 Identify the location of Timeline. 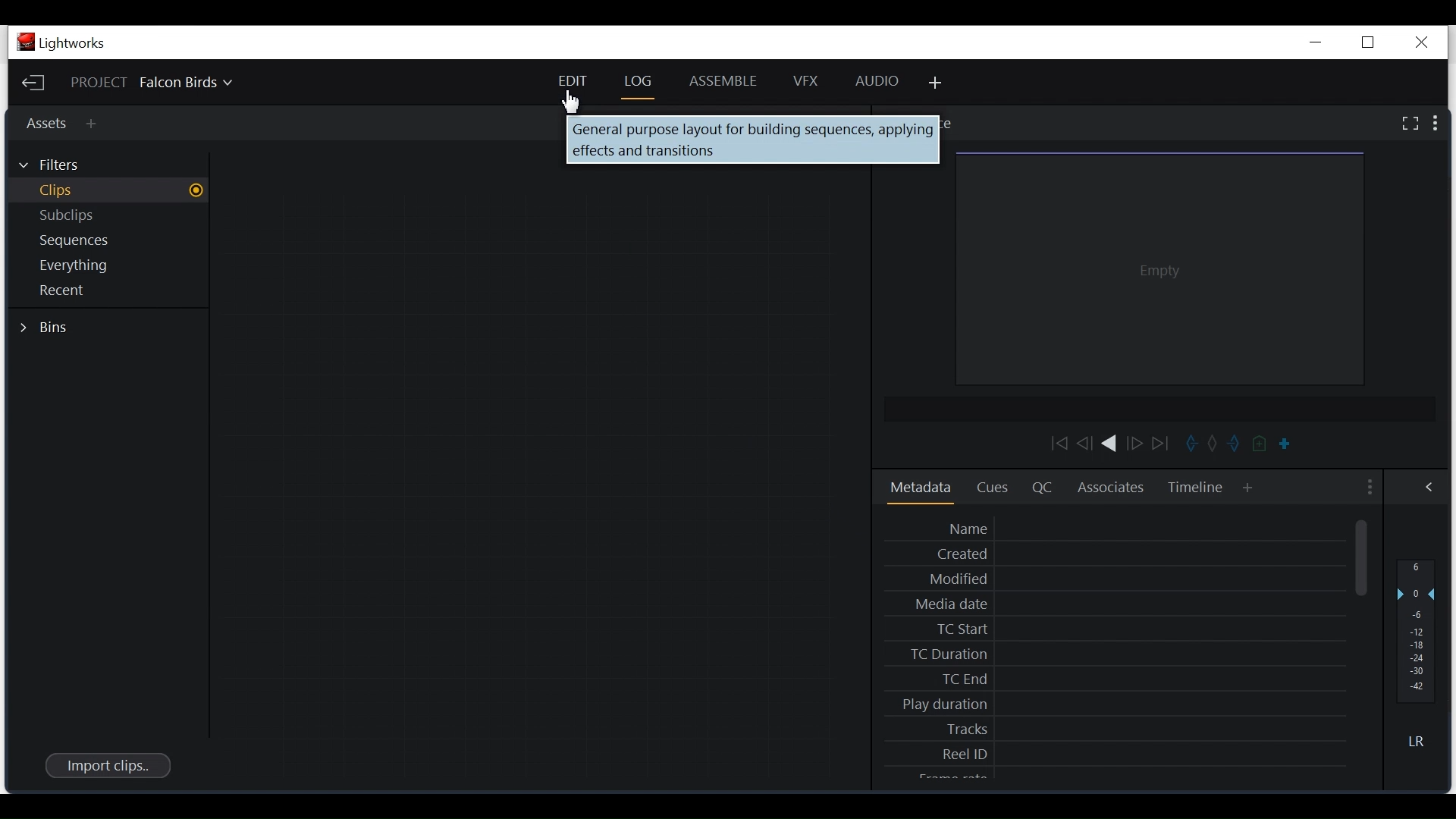
(1196, 489).